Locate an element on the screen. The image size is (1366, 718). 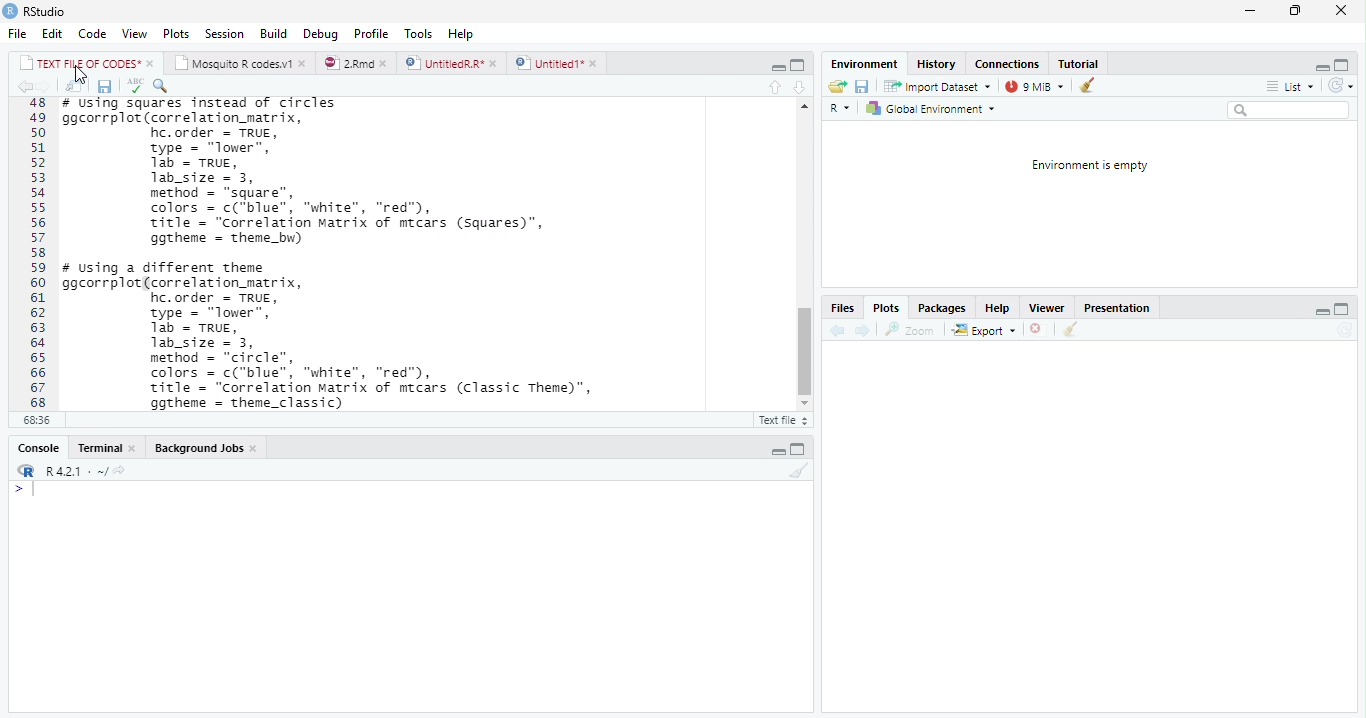
Mosautto & cosesy is located at coordinates (244, 64).